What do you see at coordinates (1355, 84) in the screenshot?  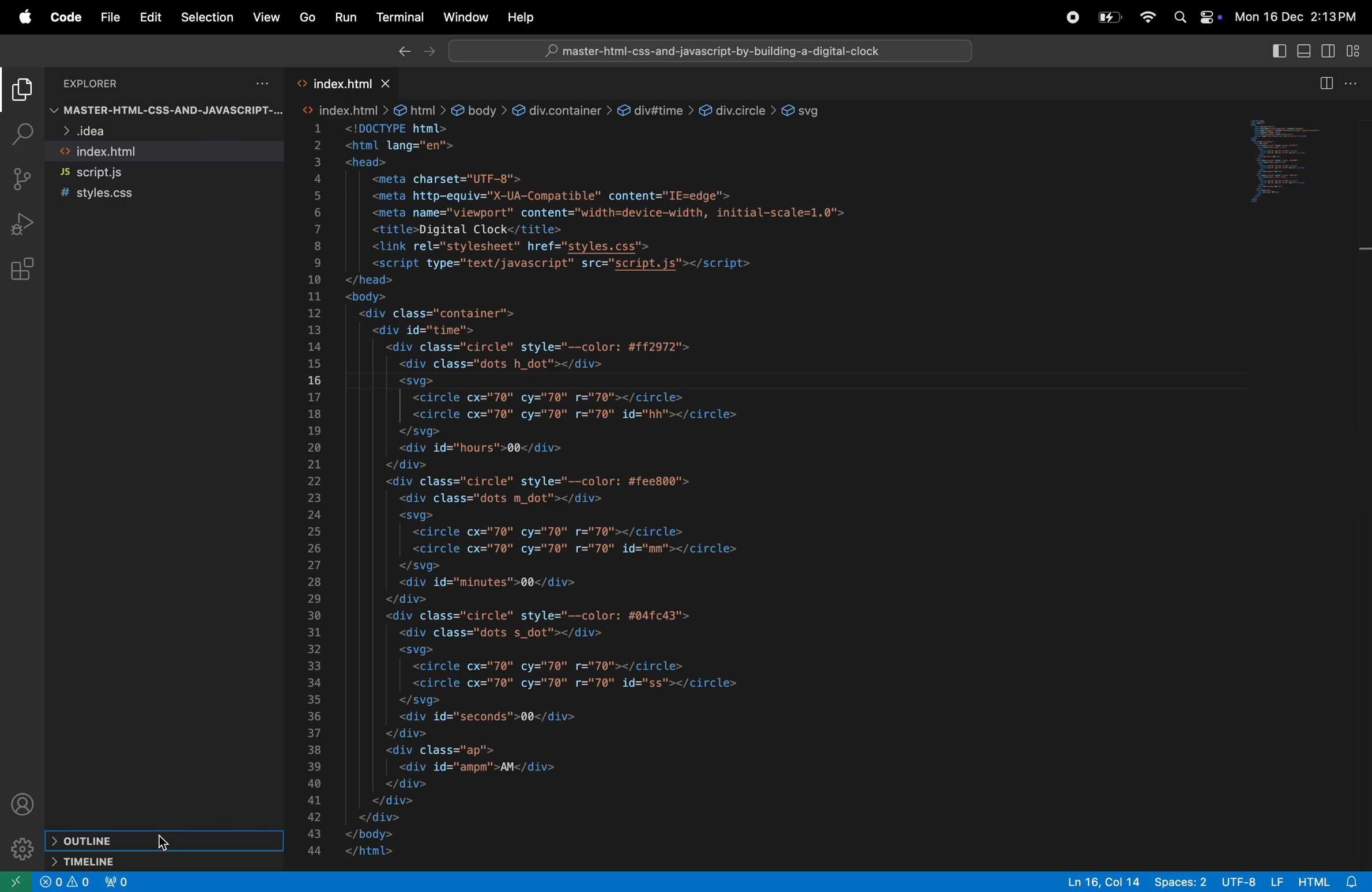 I see `options` at bounding box center [1355, 84].